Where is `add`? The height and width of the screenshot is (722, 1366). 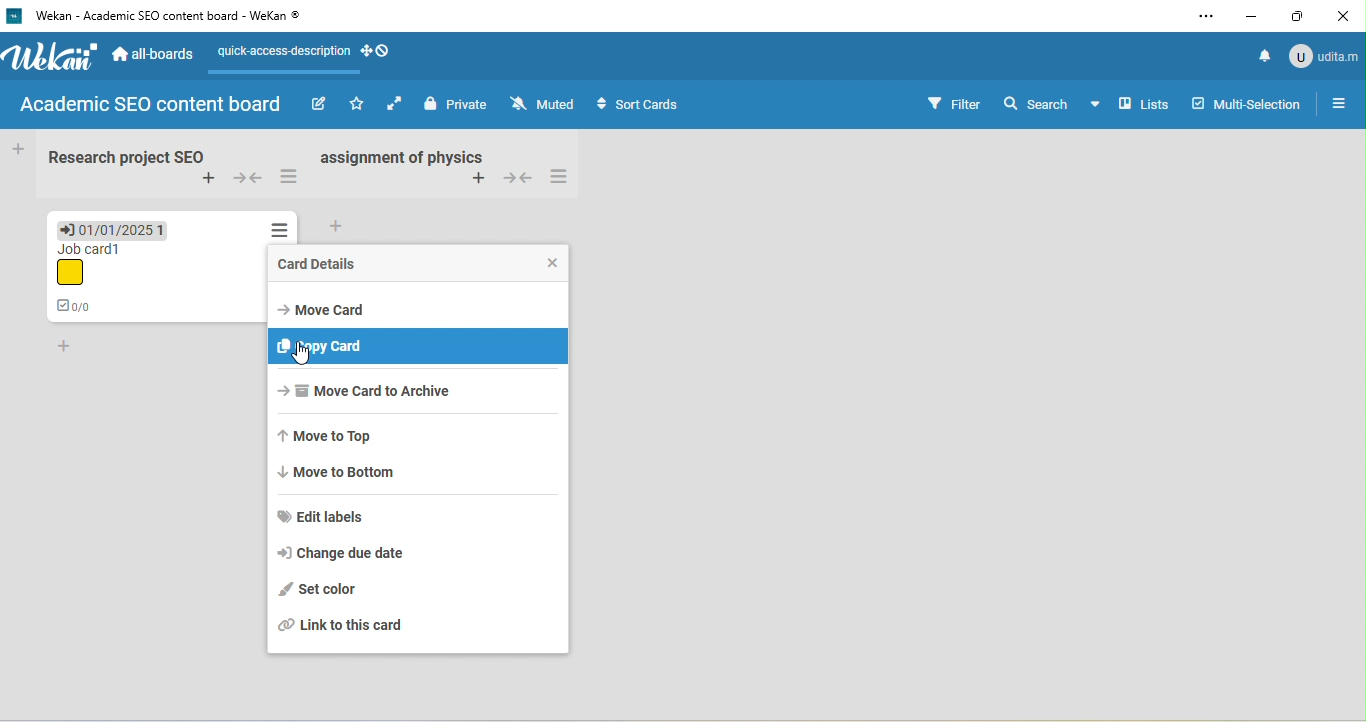
add is located at coordinates (18, 147).